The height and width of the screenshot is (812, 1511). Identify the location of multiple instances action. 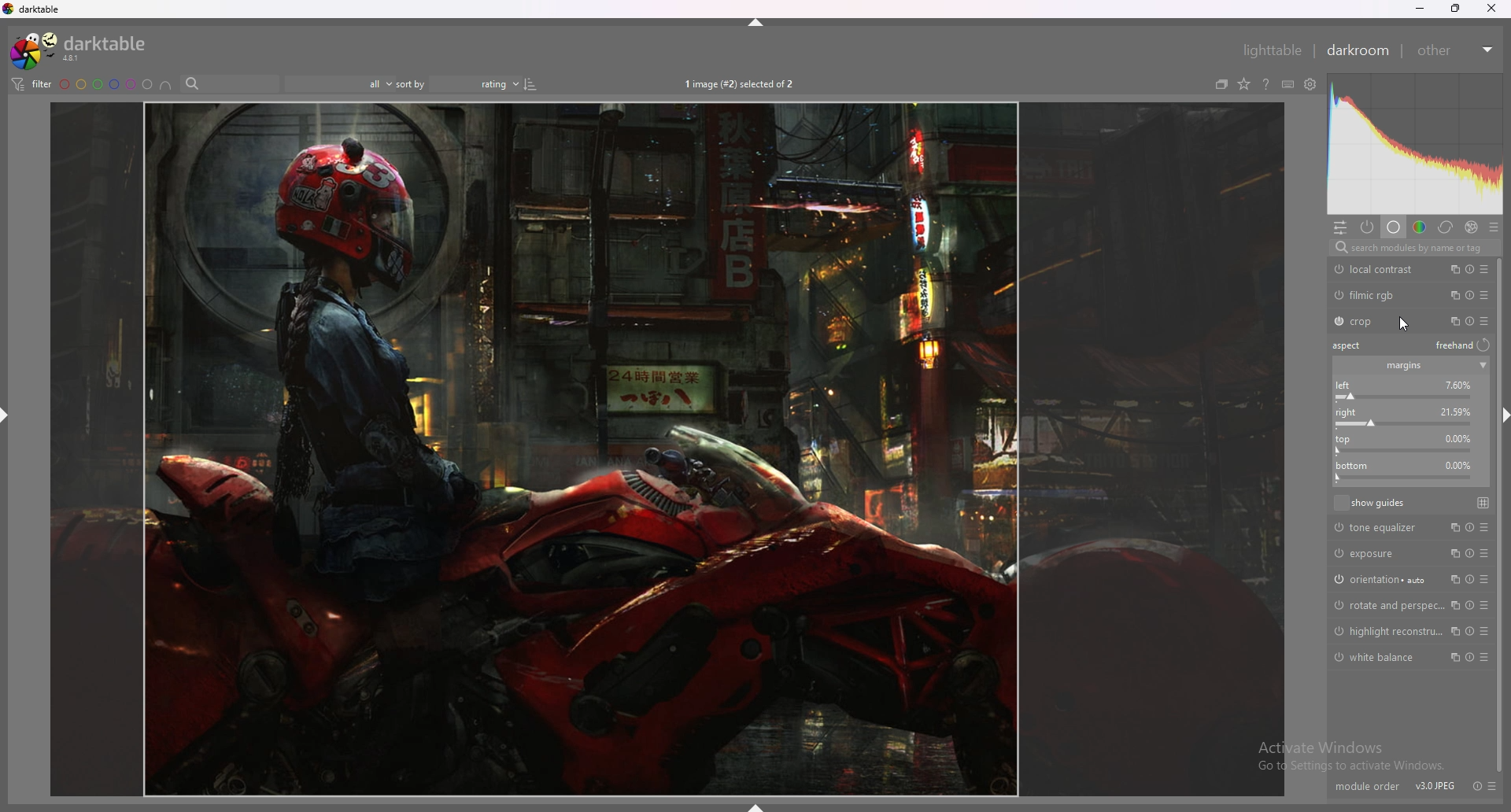
(1454, 658).